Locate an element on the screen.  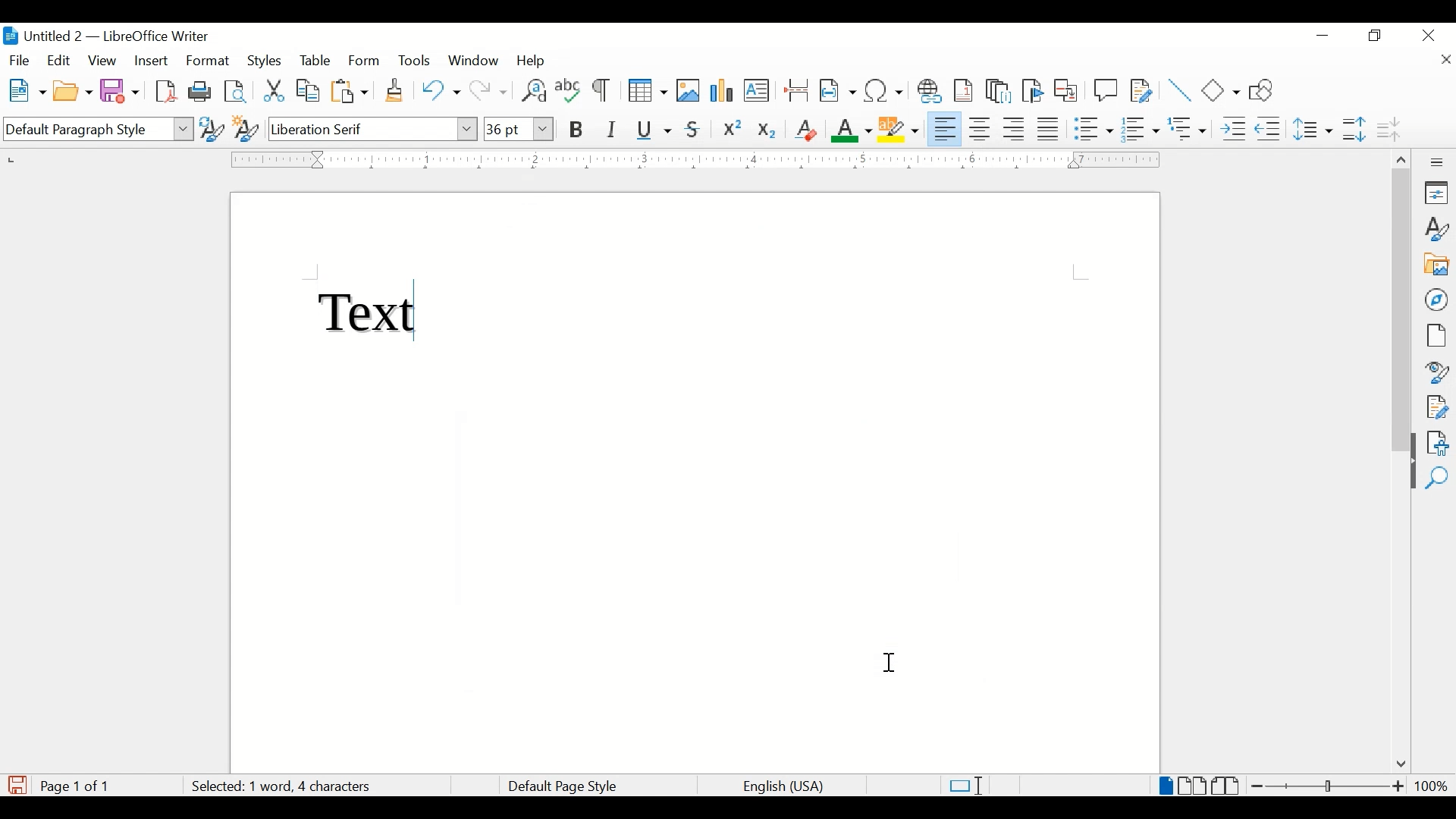
italic is located at coordinates (612, 130).